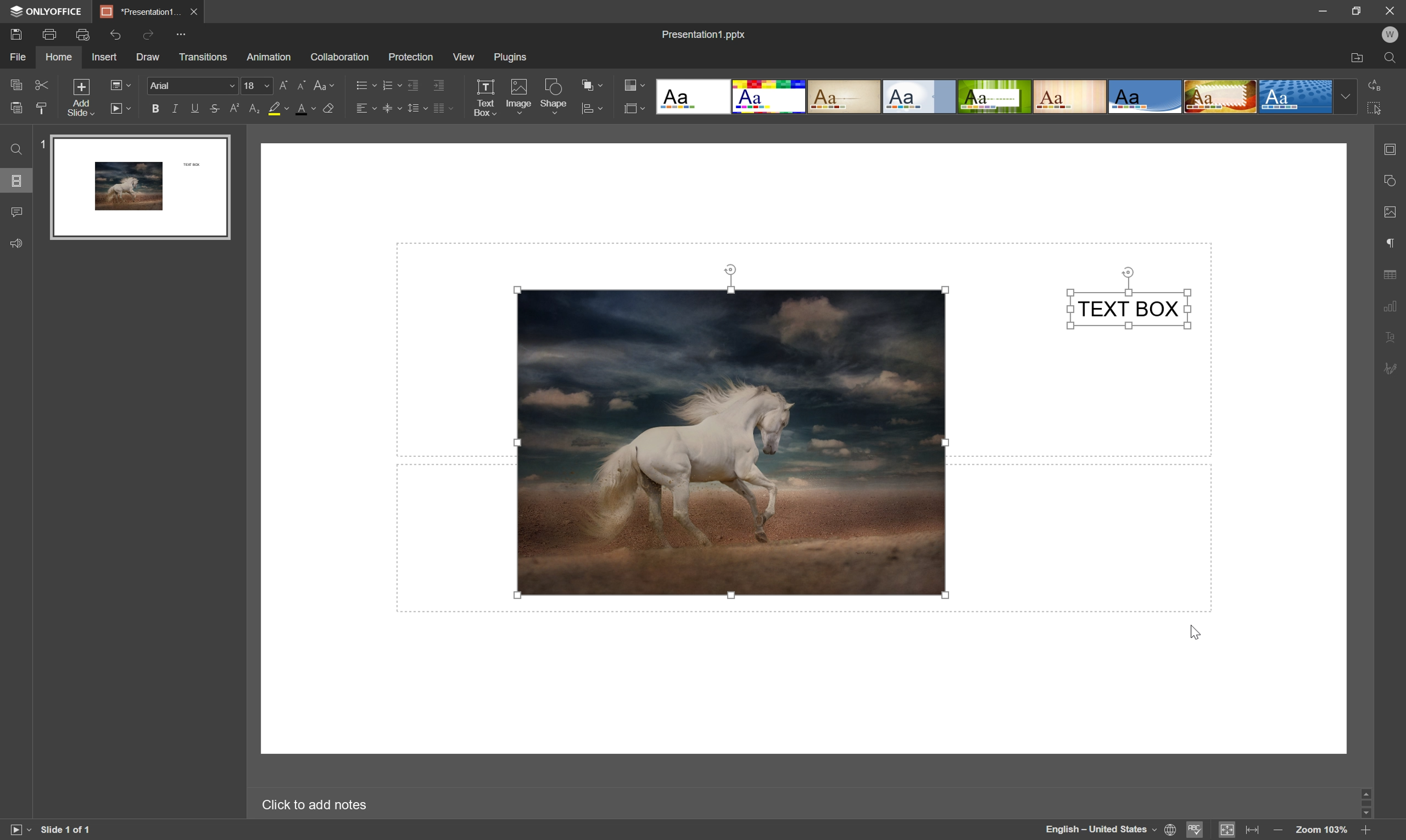  I want to click on change slide layout, so click(119, 84).